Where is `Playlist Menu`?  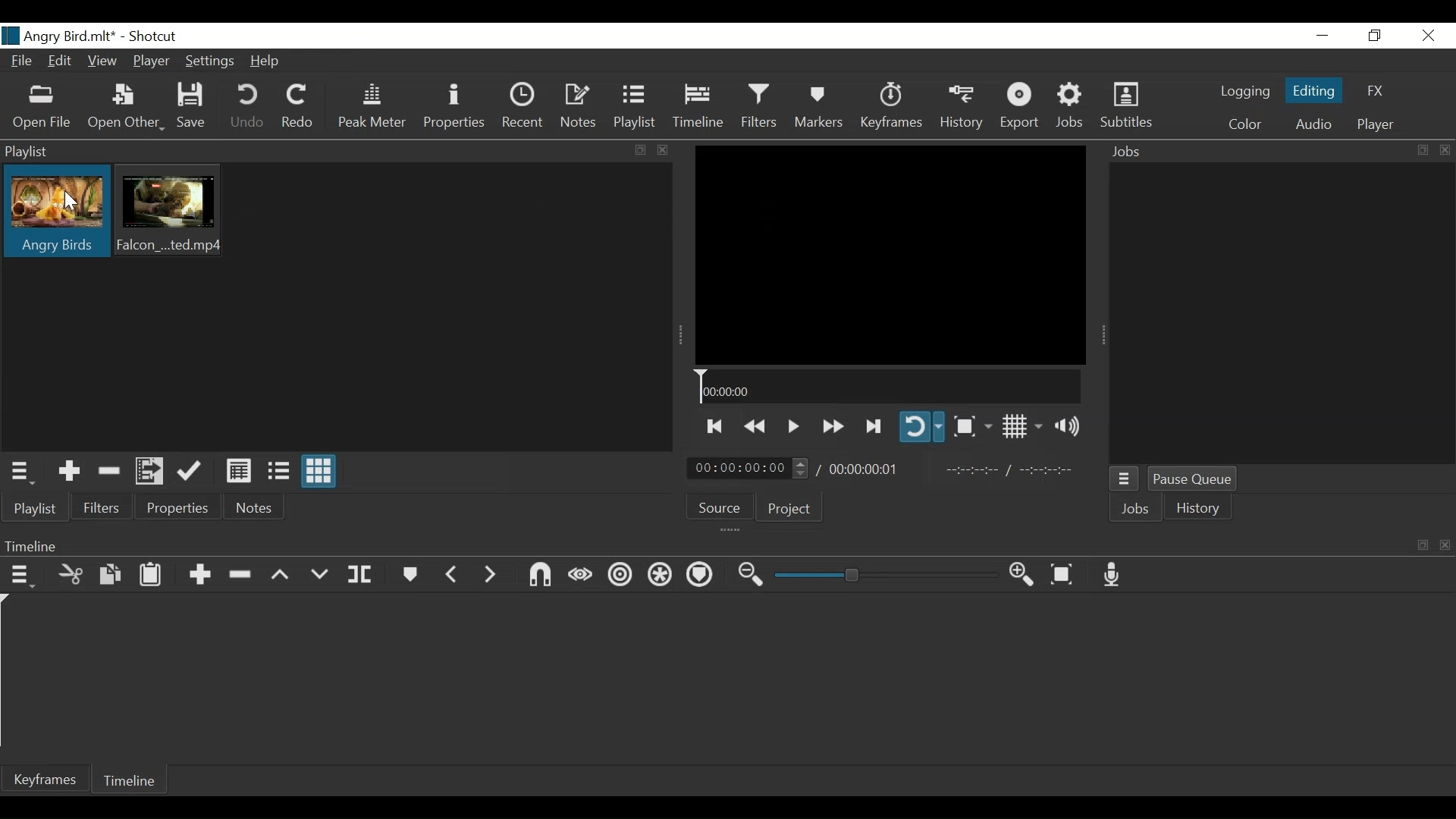
Playlist Menu is located at coordinates (26, 472).